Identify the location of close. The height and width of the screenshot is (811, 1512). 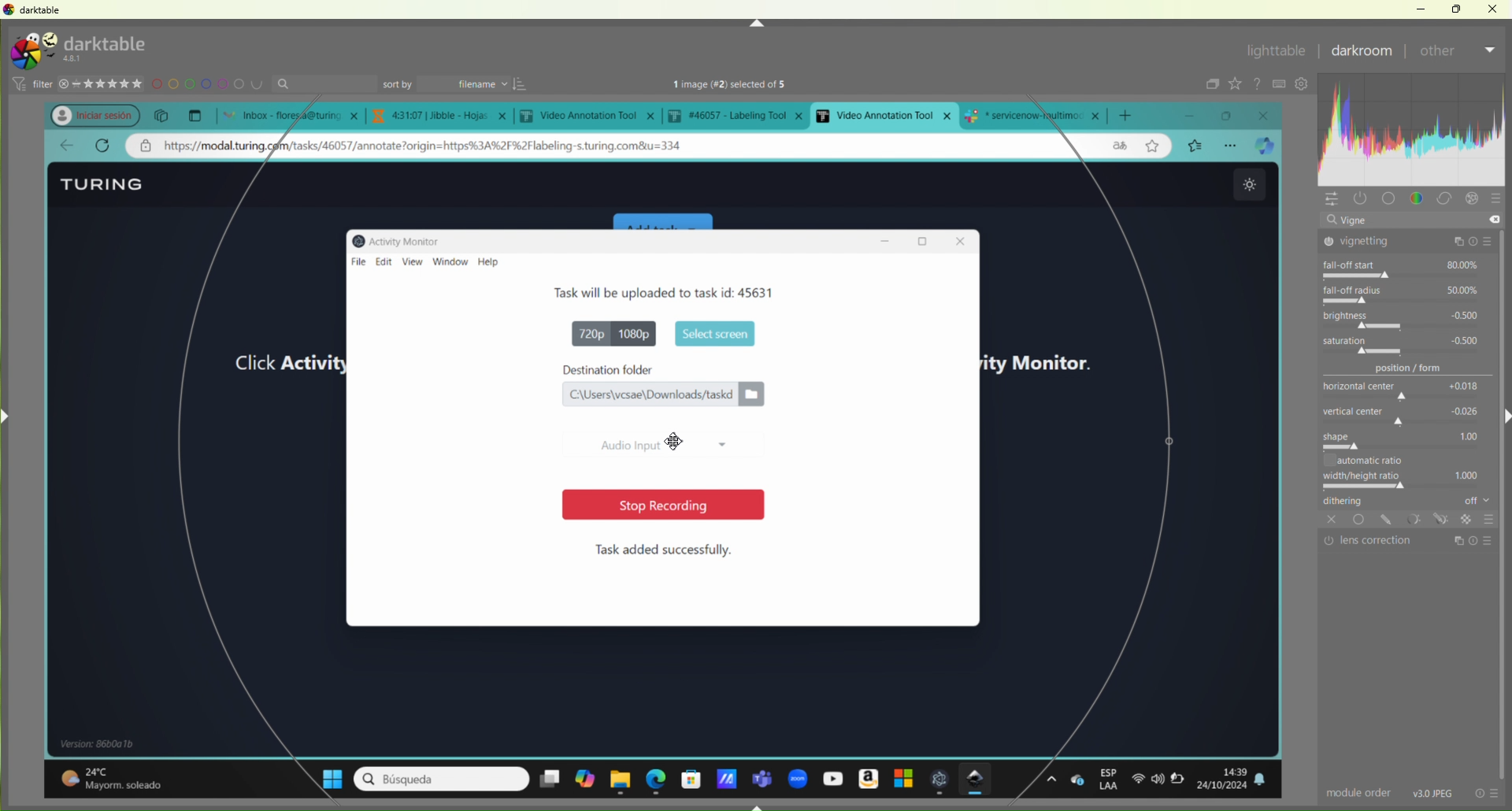
(1268, 114).